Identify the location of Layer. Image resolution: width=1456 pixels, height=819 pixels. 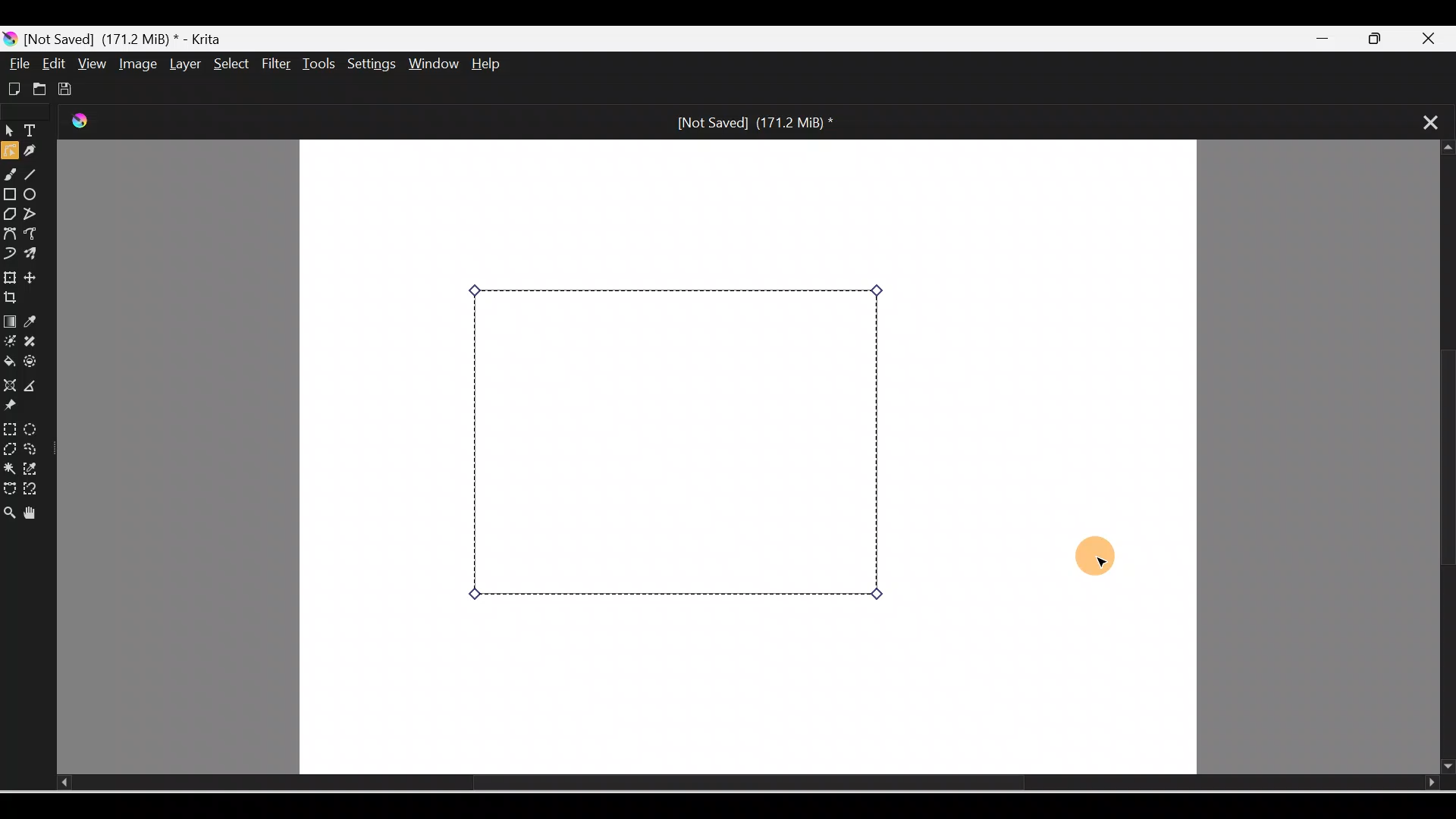
(182, 64).